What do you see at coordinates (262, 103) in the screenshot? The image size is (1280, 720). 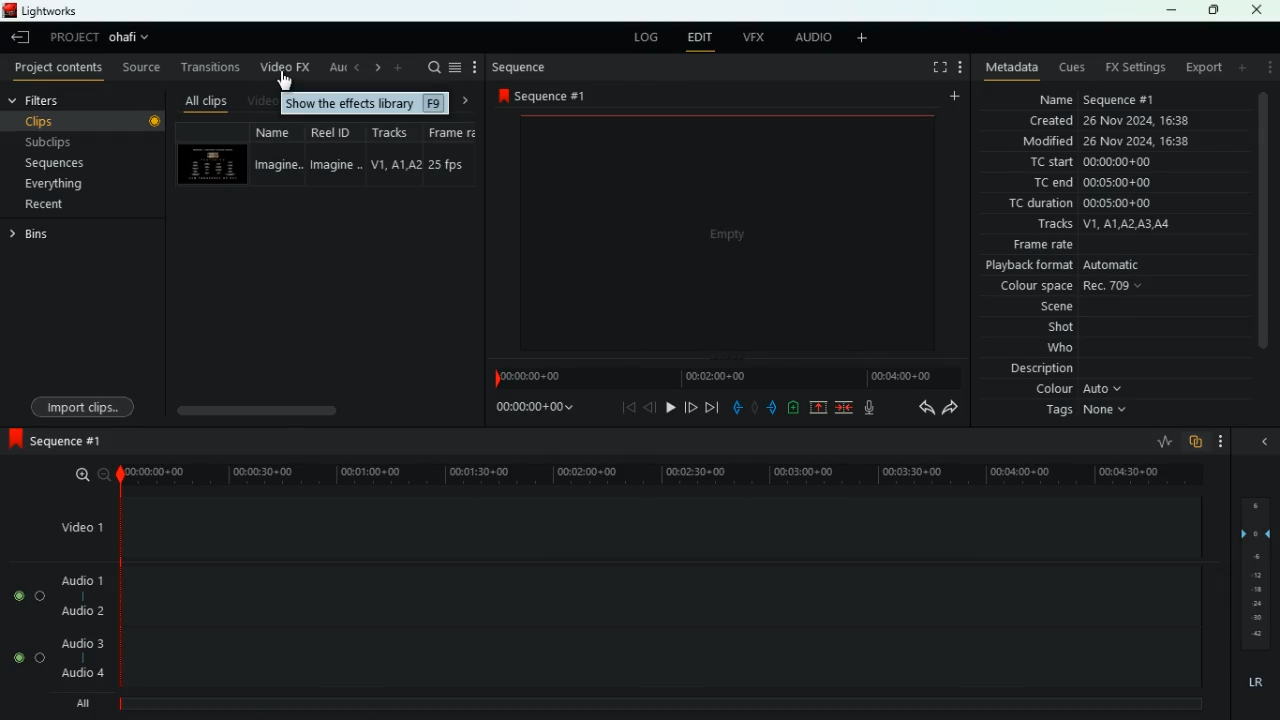 I see `video` at bounding box center [262, 103].